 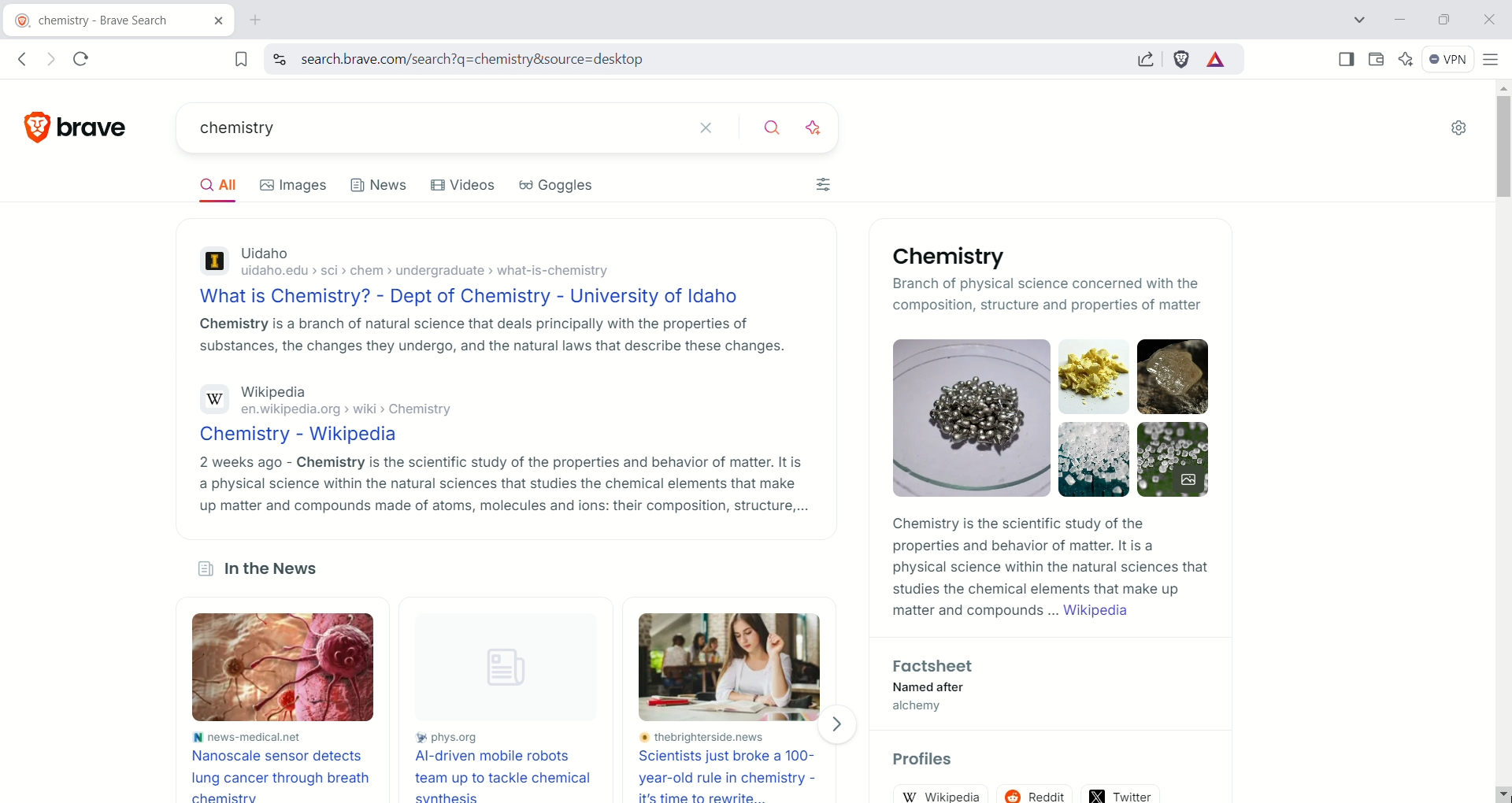 What do you see at coordinates (350, 413) in the screenshot?
I see `Wikipediaen.wikipedia.org > wiki > ChemistryChemistry - Wikipedia` at bounding box center [350, 413].